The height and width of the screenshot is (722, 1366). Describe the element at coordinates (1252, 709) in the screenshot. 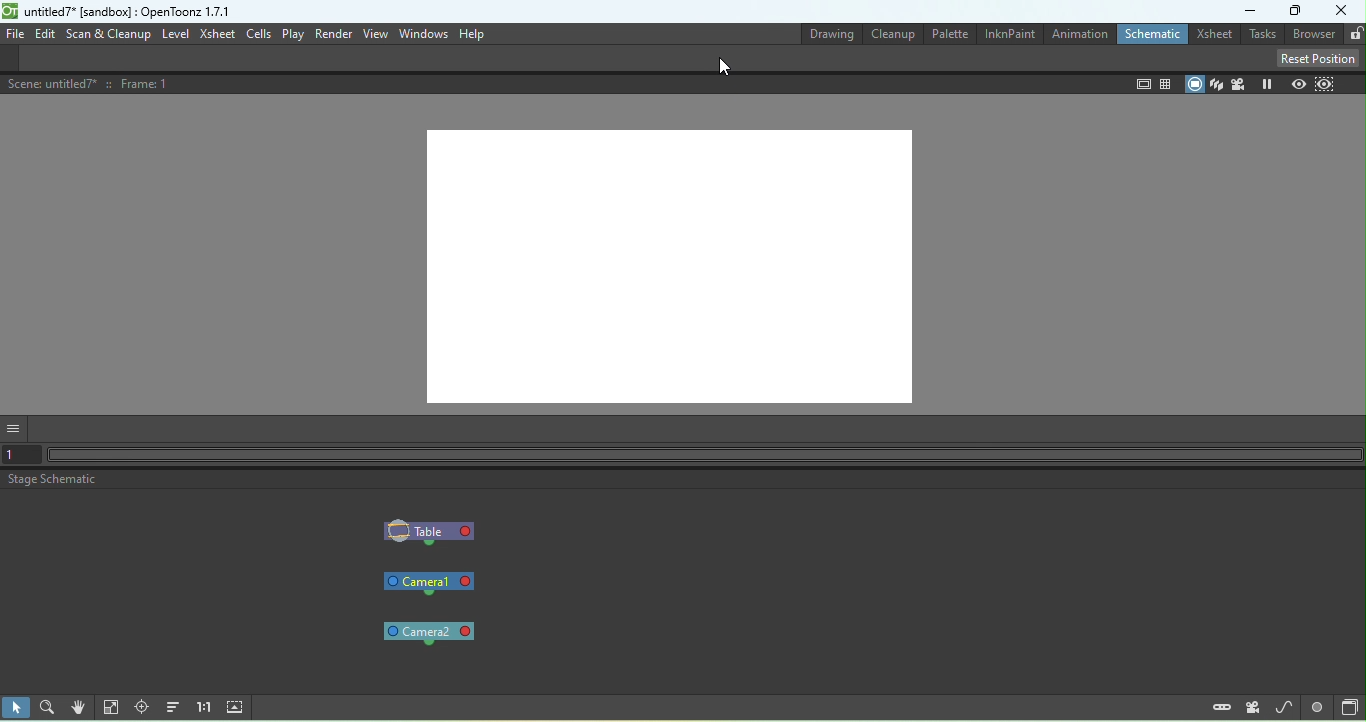

I see `New camera` at that location.